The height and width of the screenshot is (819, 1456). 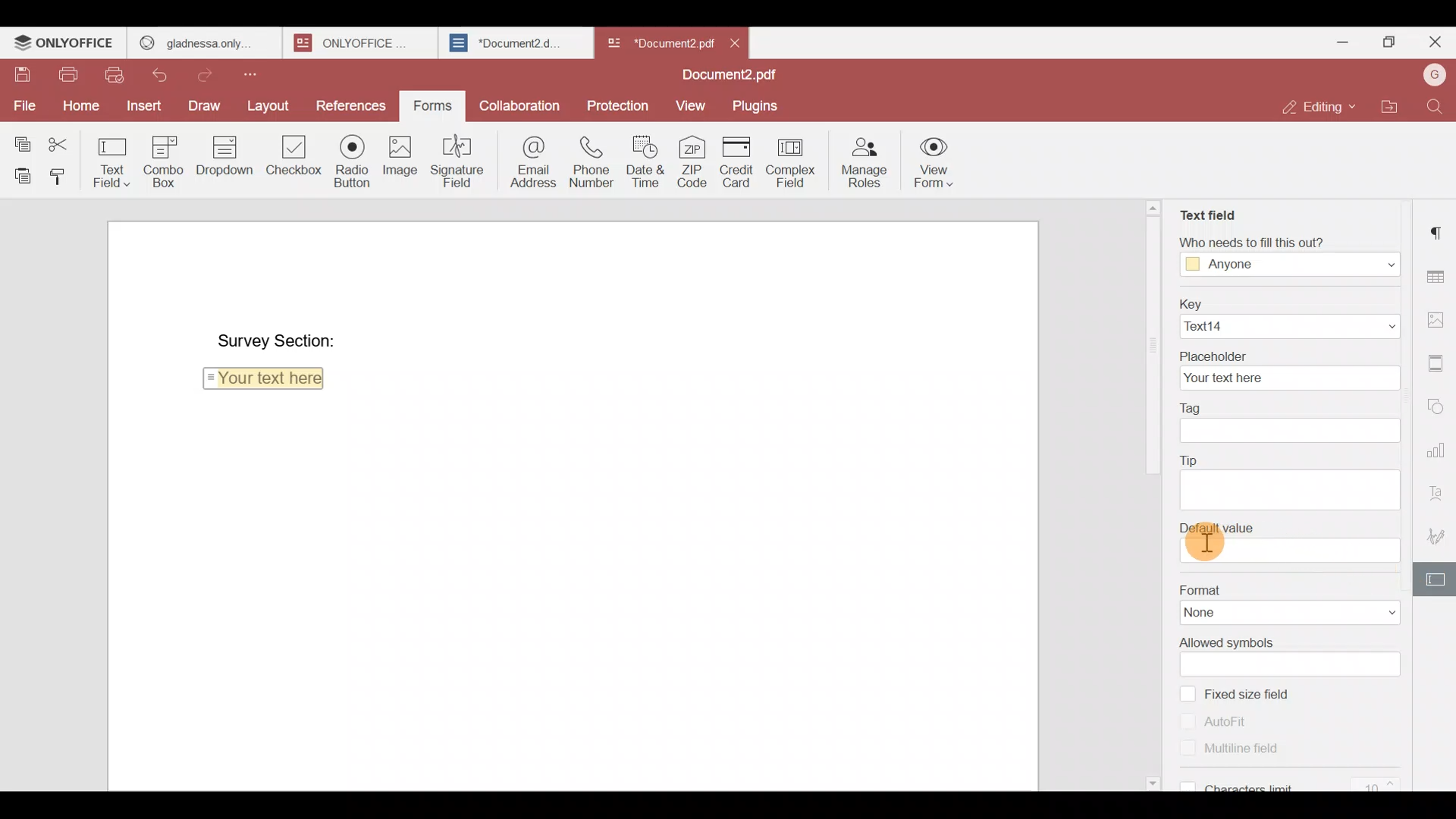 What do you see at coordinates (931, 162) in the screenshot?
I see `View form` at bounding box center [931, 162].